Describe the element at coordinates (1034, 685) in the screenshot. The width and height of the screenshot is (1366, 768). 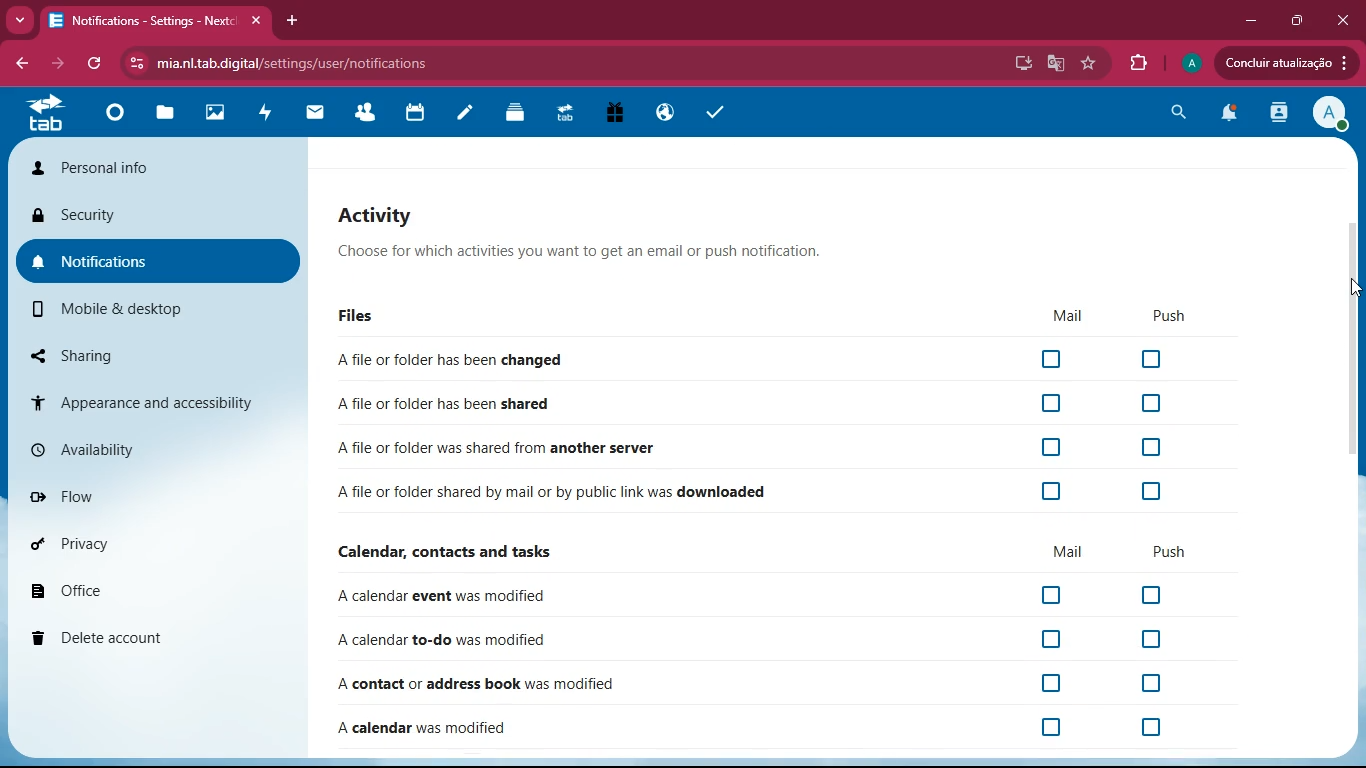
I see `off` at that location.